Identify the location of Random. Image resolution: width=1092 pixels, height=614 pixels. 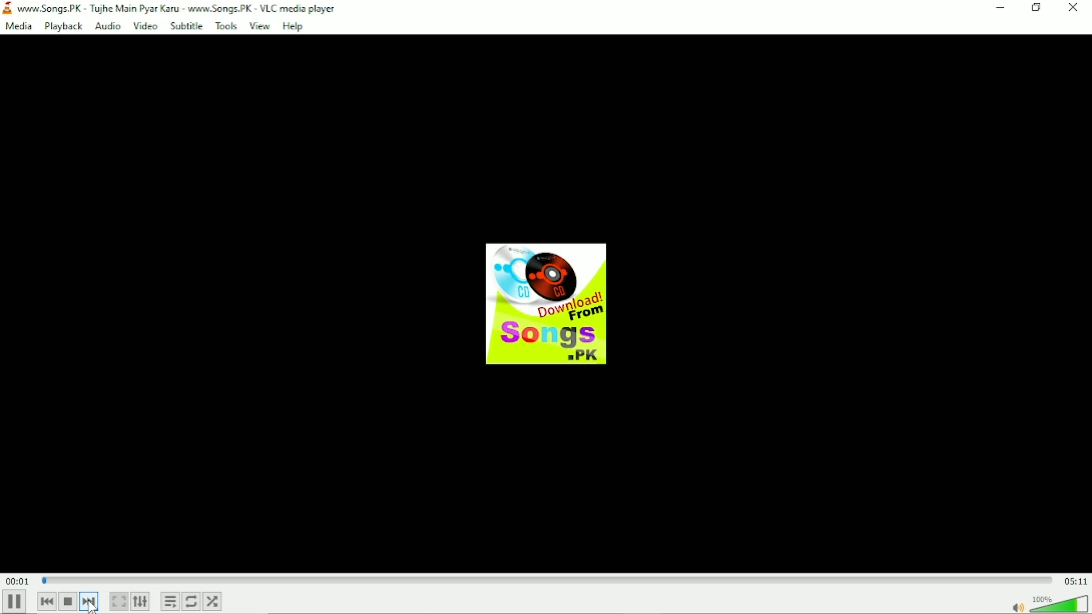
(213, 601).